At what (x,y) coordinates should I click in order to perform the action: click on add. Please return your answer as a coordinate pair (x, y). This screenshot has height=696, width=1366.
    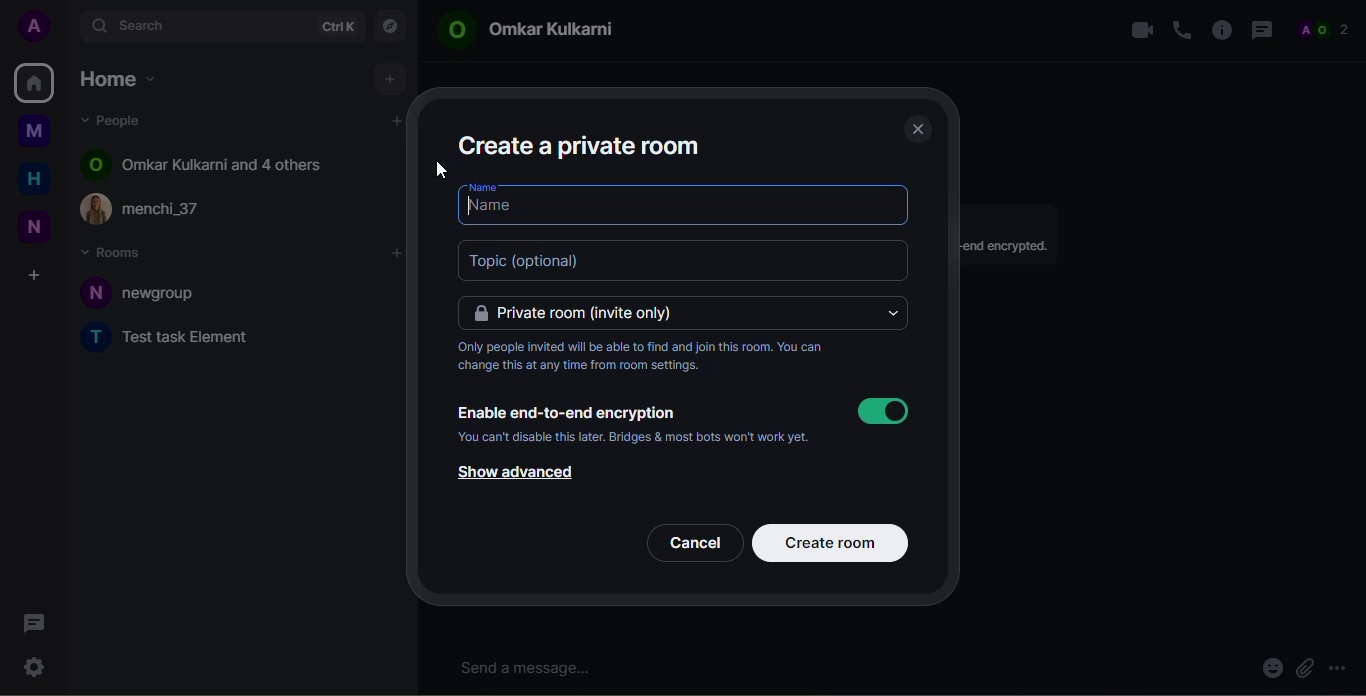
    Looking at the image, I should click on (390, 78).